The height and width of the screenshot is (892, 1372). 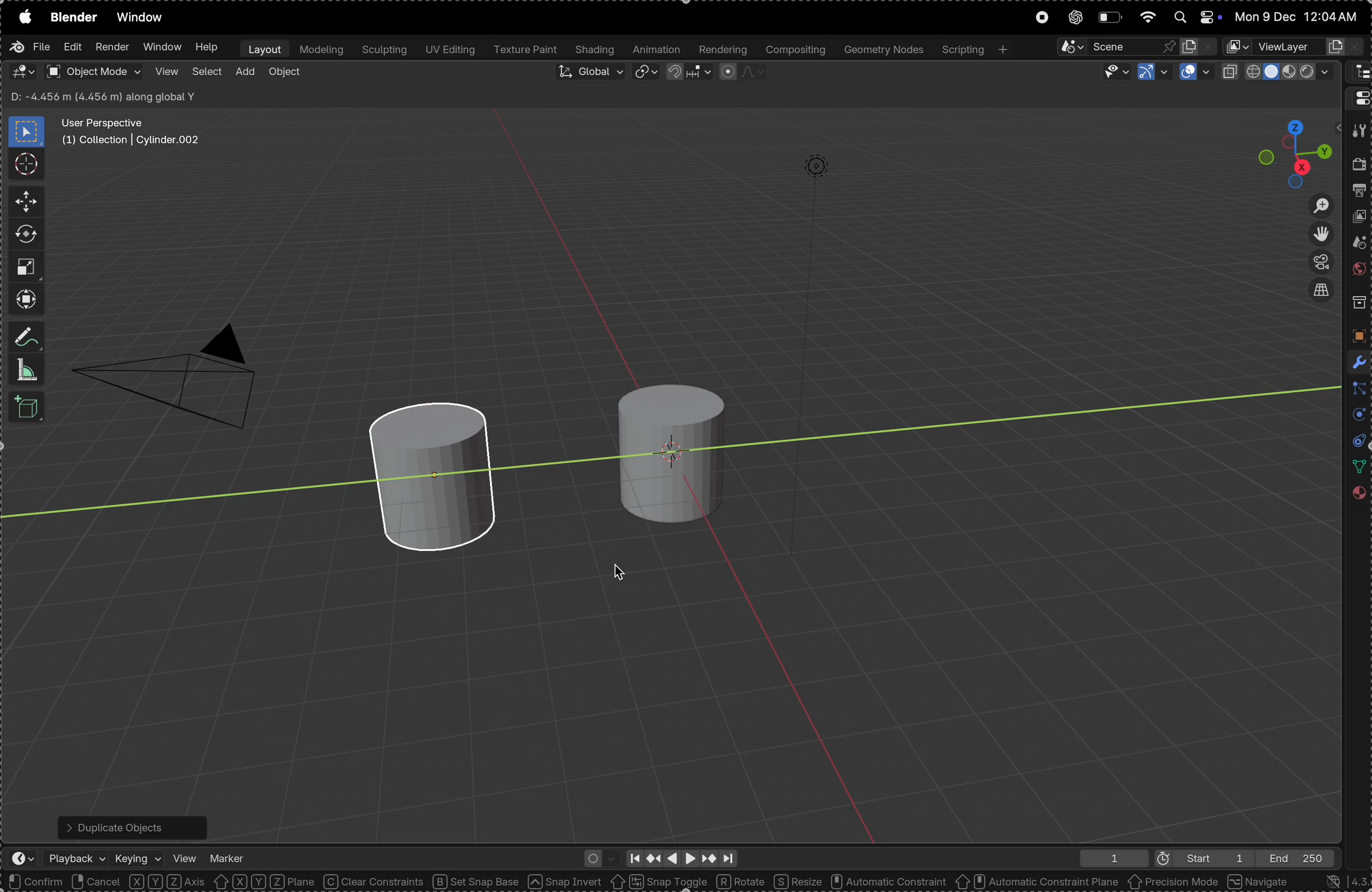 I want to click on rotate, so click(x=26, y=235).